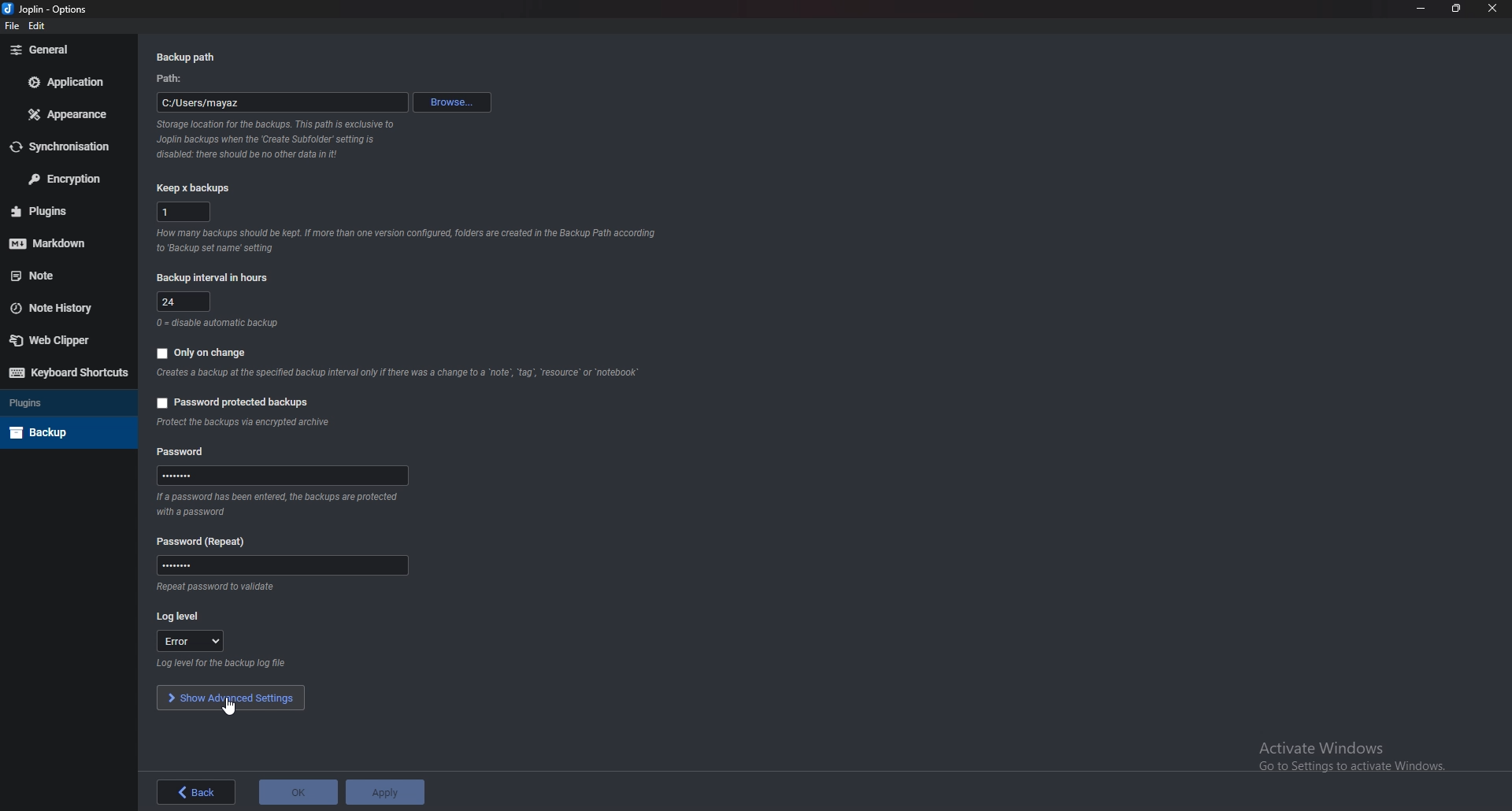 Image resolution: width=1512 pixels, height=811 pixels. What do you see at coordinates (59, 241) in the screenshot?
I see `Mark down` at bounding box center [59, 241].